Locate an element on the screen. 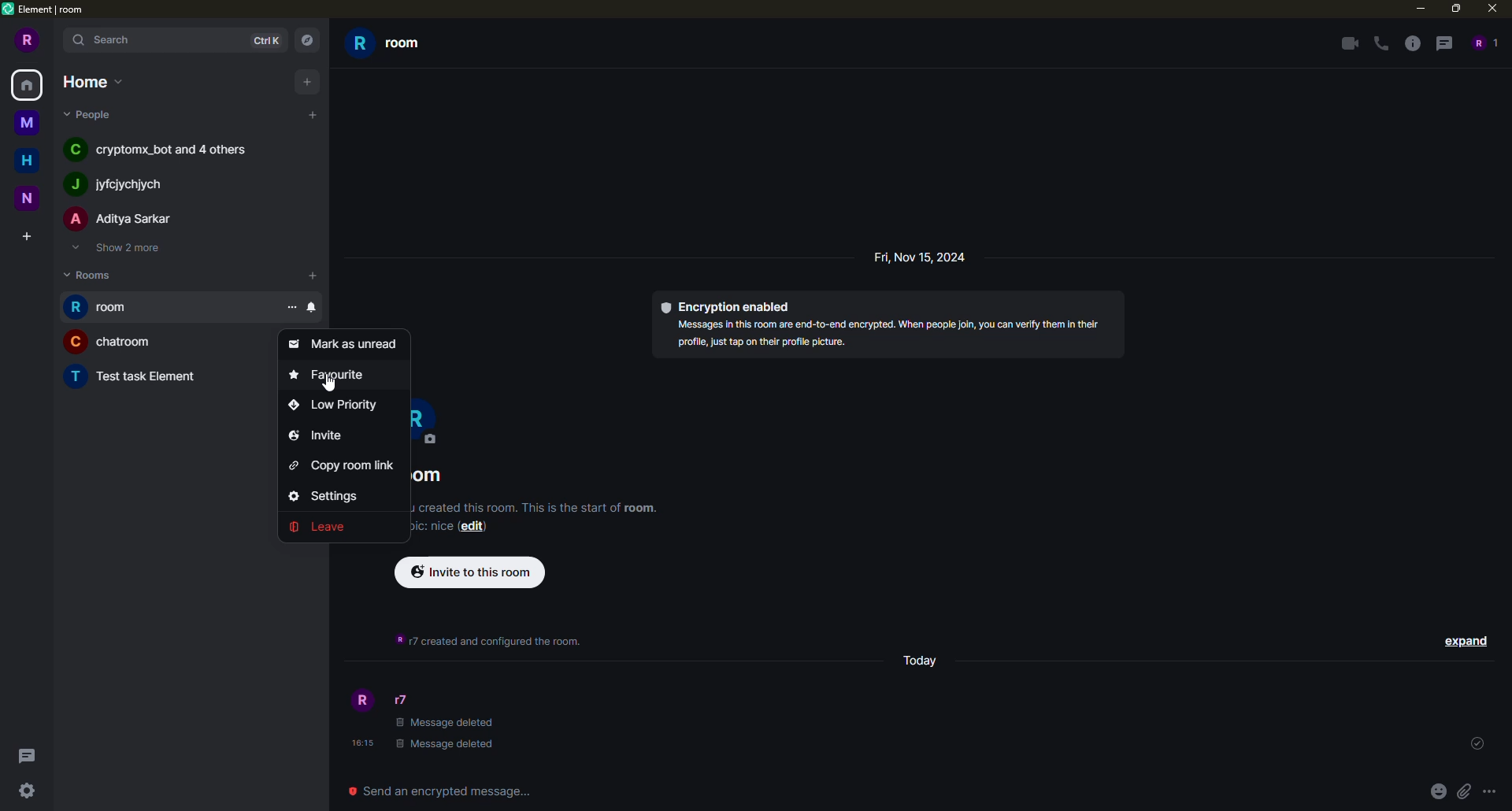 The image size is (1512, 811). mark as unread is located at coordinates (342, 343).